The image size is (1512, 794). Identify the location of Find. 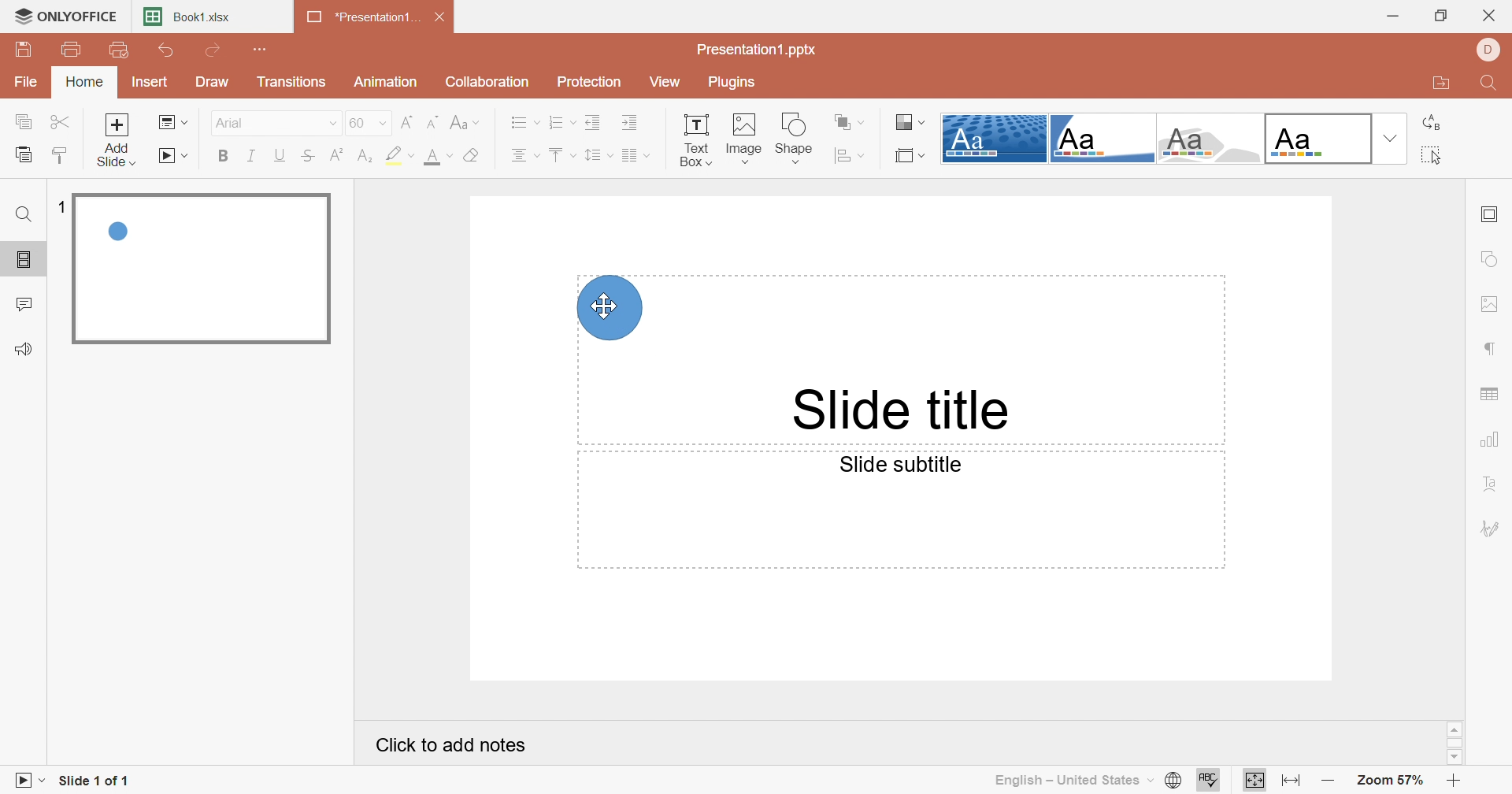
(24, 217).